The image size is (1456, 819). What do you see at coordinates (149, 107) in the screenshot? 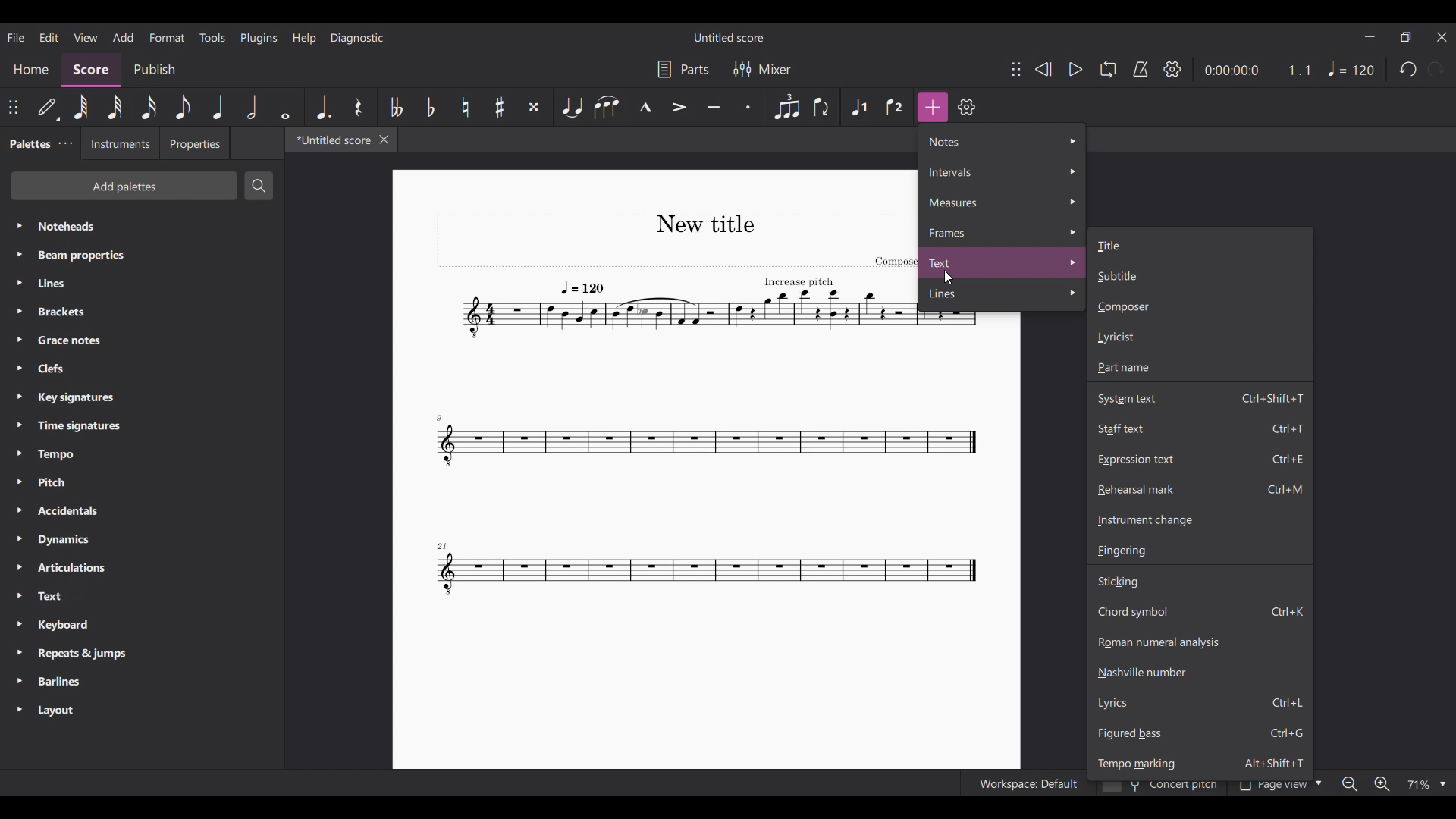
I see `16th note` at bounding box center [149, 107].